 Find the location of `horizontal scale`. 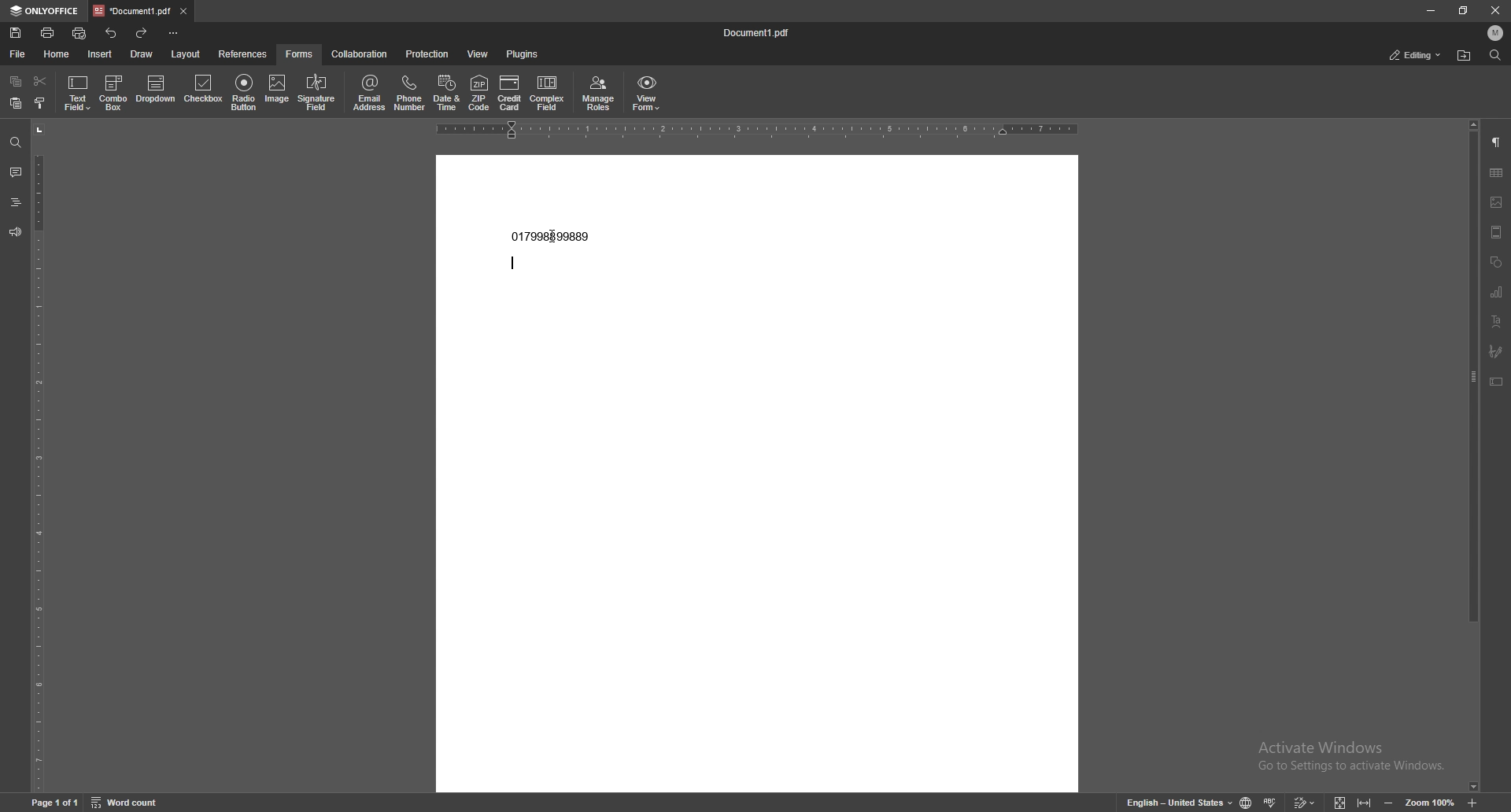

horizontal scale is located at coordinates (758, 130).